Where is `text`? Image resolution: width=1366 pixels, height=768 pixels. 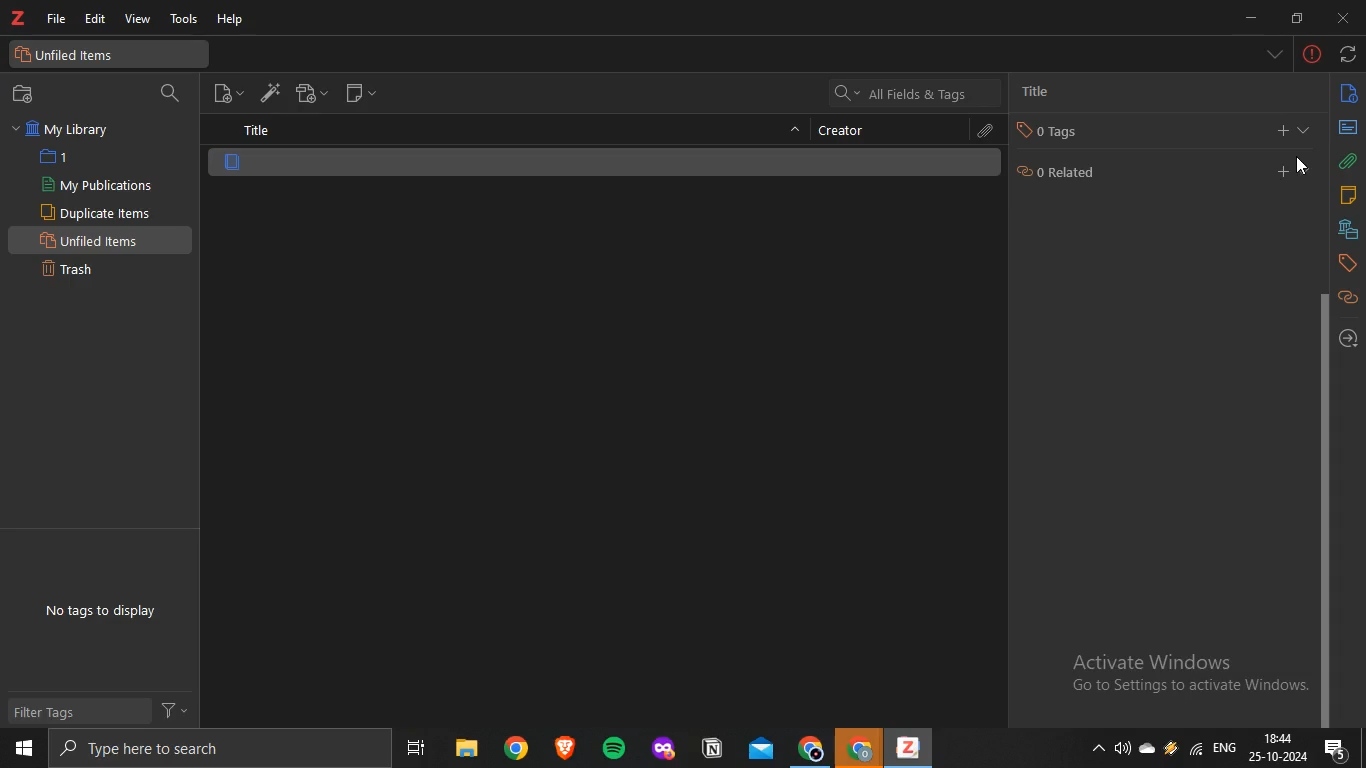
text is located at coordinates (21, 19).